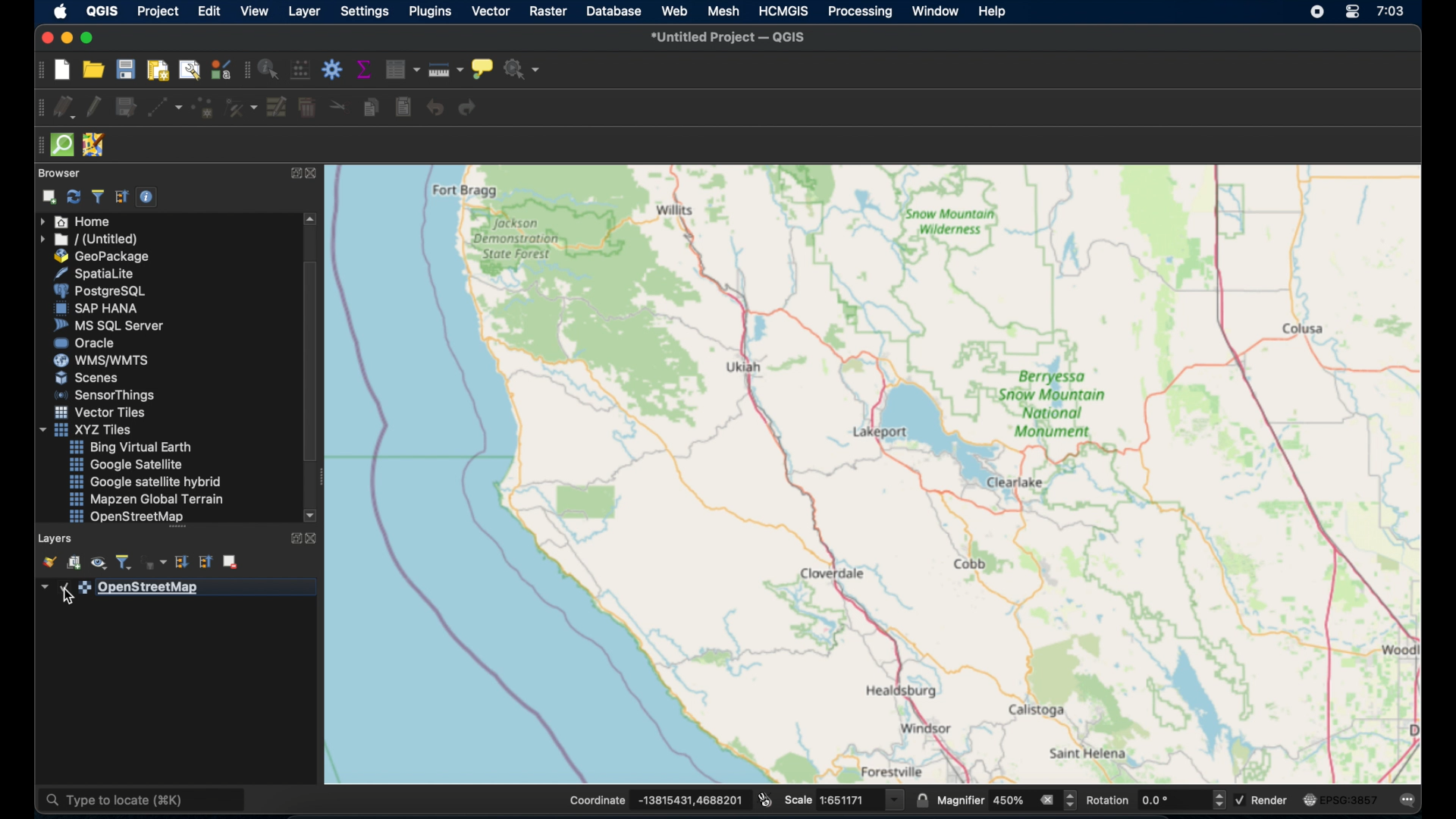 The image size is (1456, 819). Describe the element at coordinates (364, 12) in the screenshot. I see `settings` at that location.